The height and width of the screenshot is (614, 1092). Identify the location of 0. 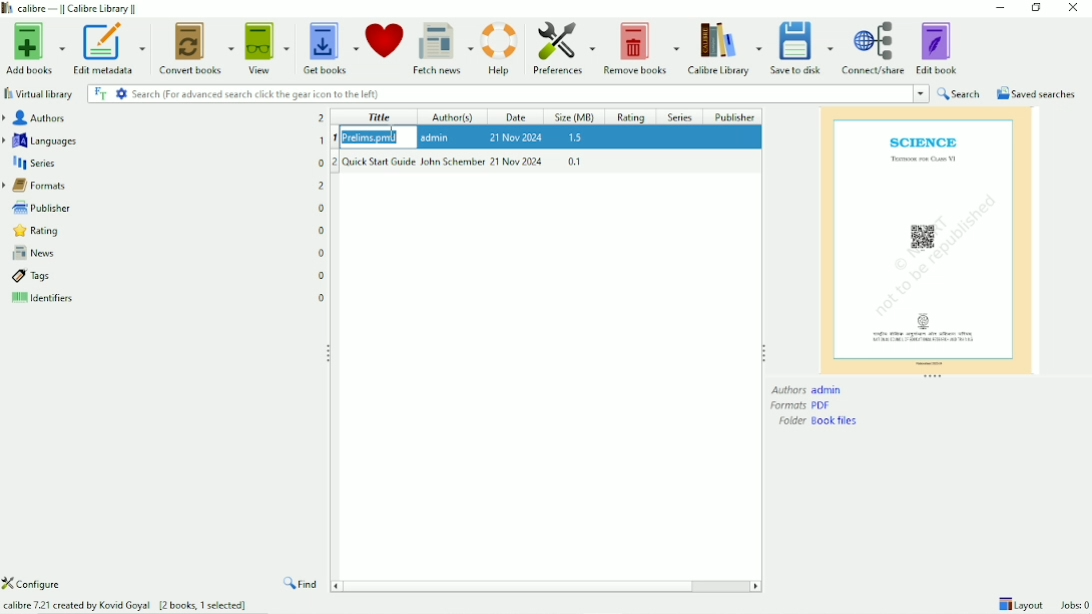
(322, 162).